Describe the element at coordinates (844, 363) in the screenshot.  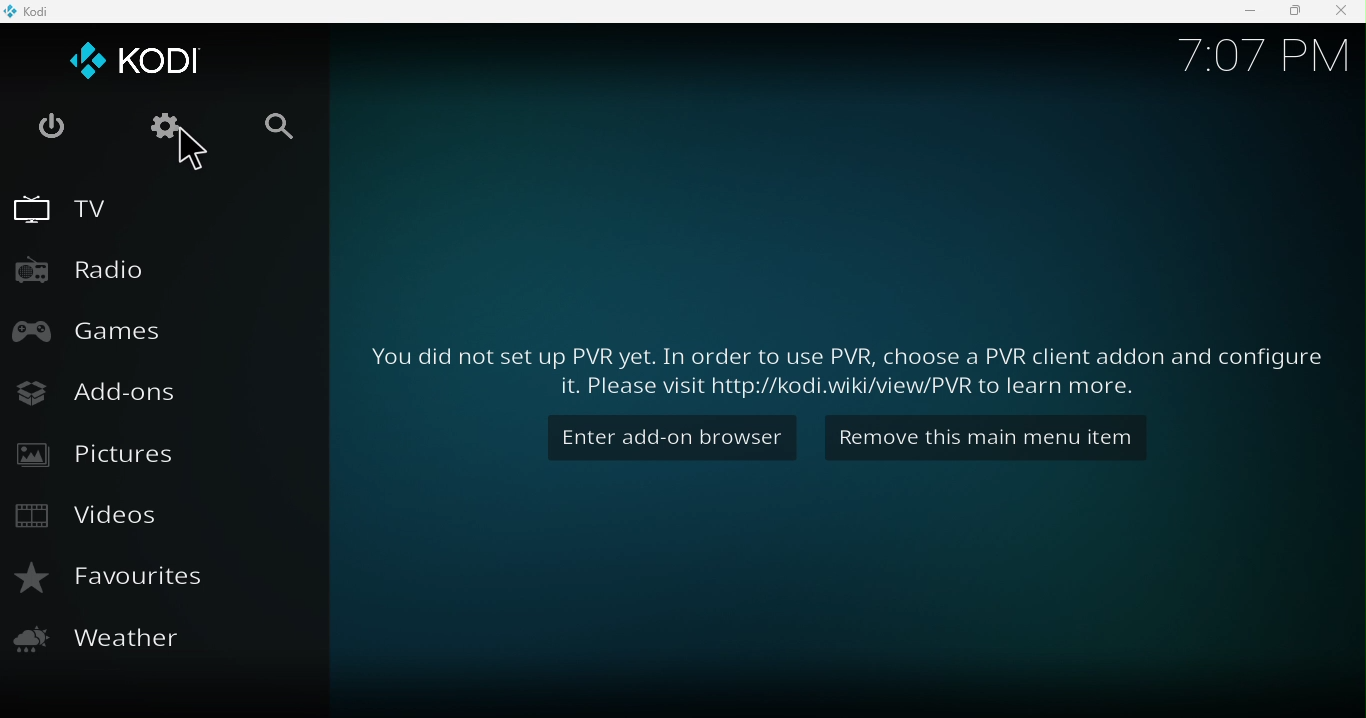
I see `You did not set up PVR yet. In order to use PVR, choose a PVR client addon and configure
it. Please visit http://kodi.wiki/view/PVR to learn more.` at that location.